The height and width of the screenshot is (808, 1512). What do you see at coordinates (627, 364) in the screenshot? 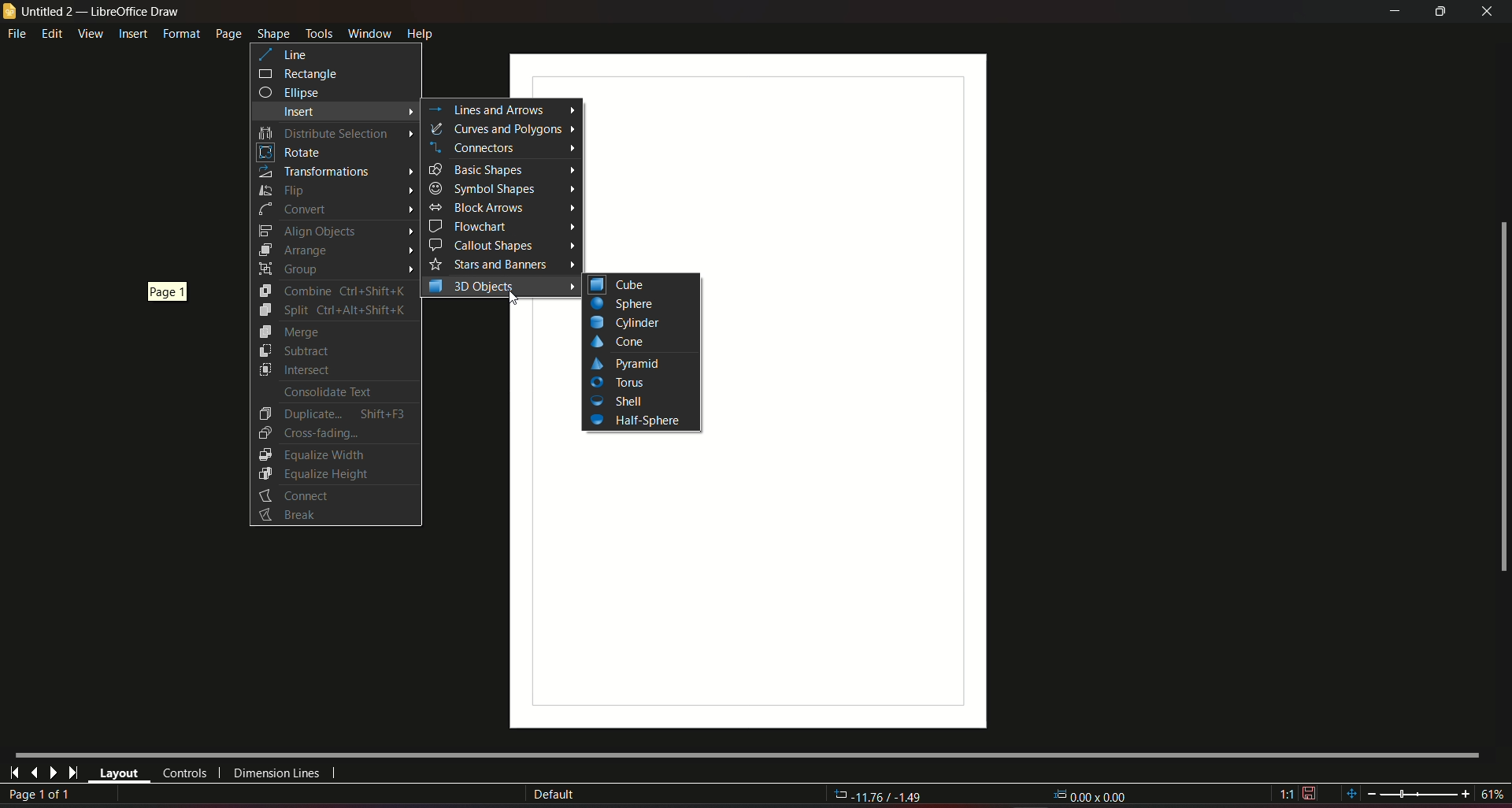
I see `Pyramid` at bounding box center [627, 364].